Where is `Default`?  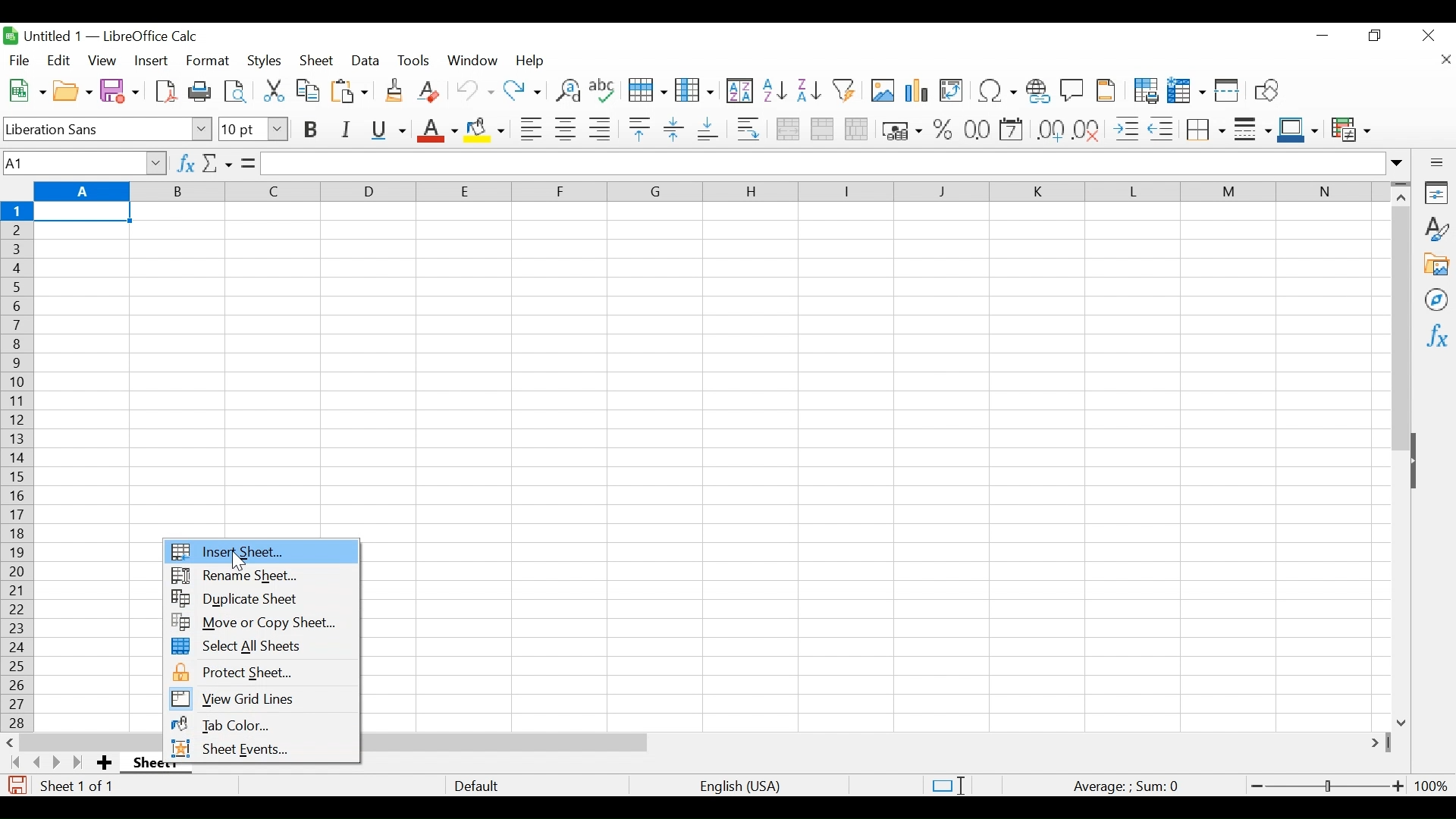
Default is located at coordinates (476, 785).